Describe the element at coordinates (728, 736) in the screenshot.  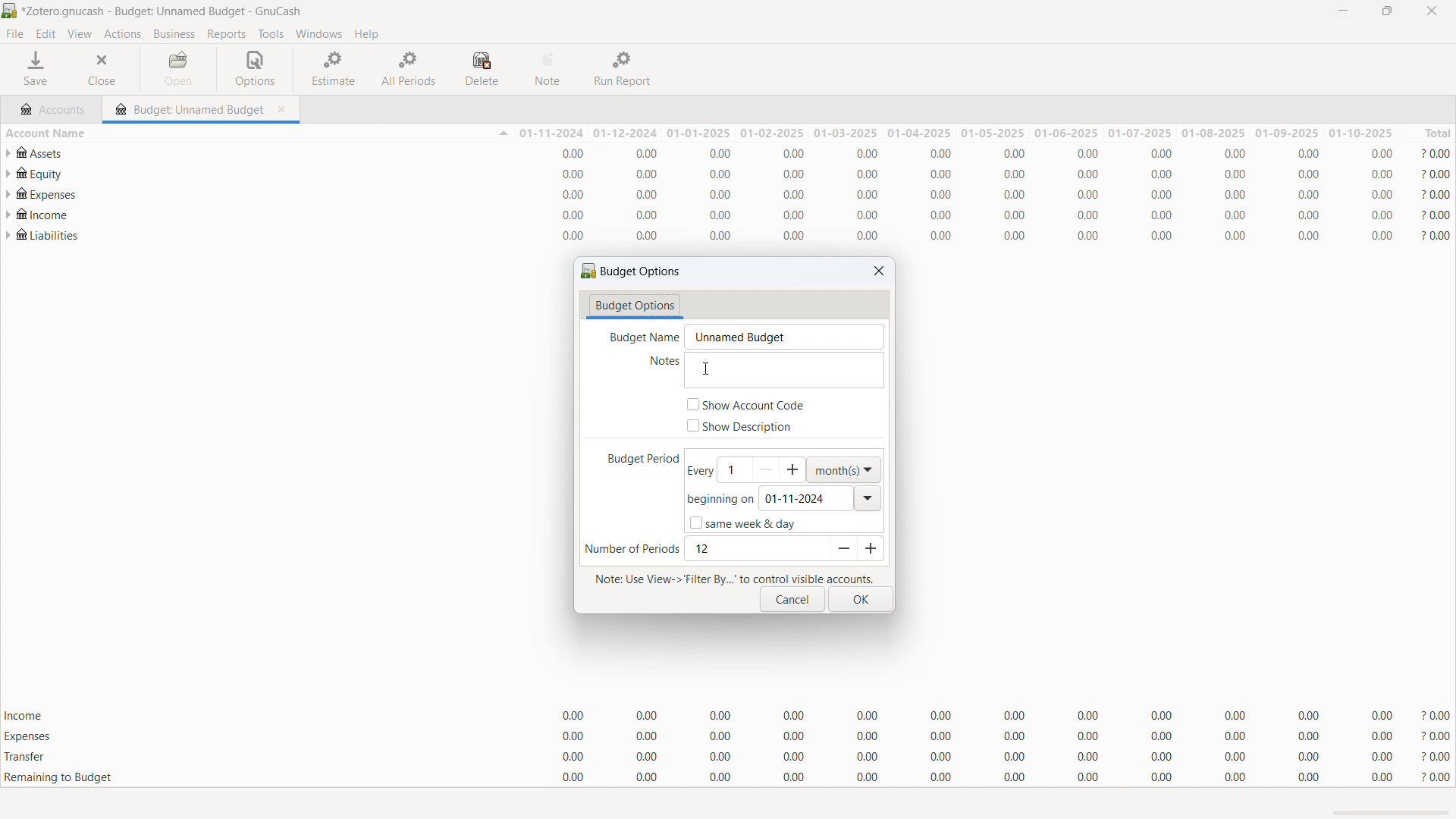
I see `expenses total` at that location.